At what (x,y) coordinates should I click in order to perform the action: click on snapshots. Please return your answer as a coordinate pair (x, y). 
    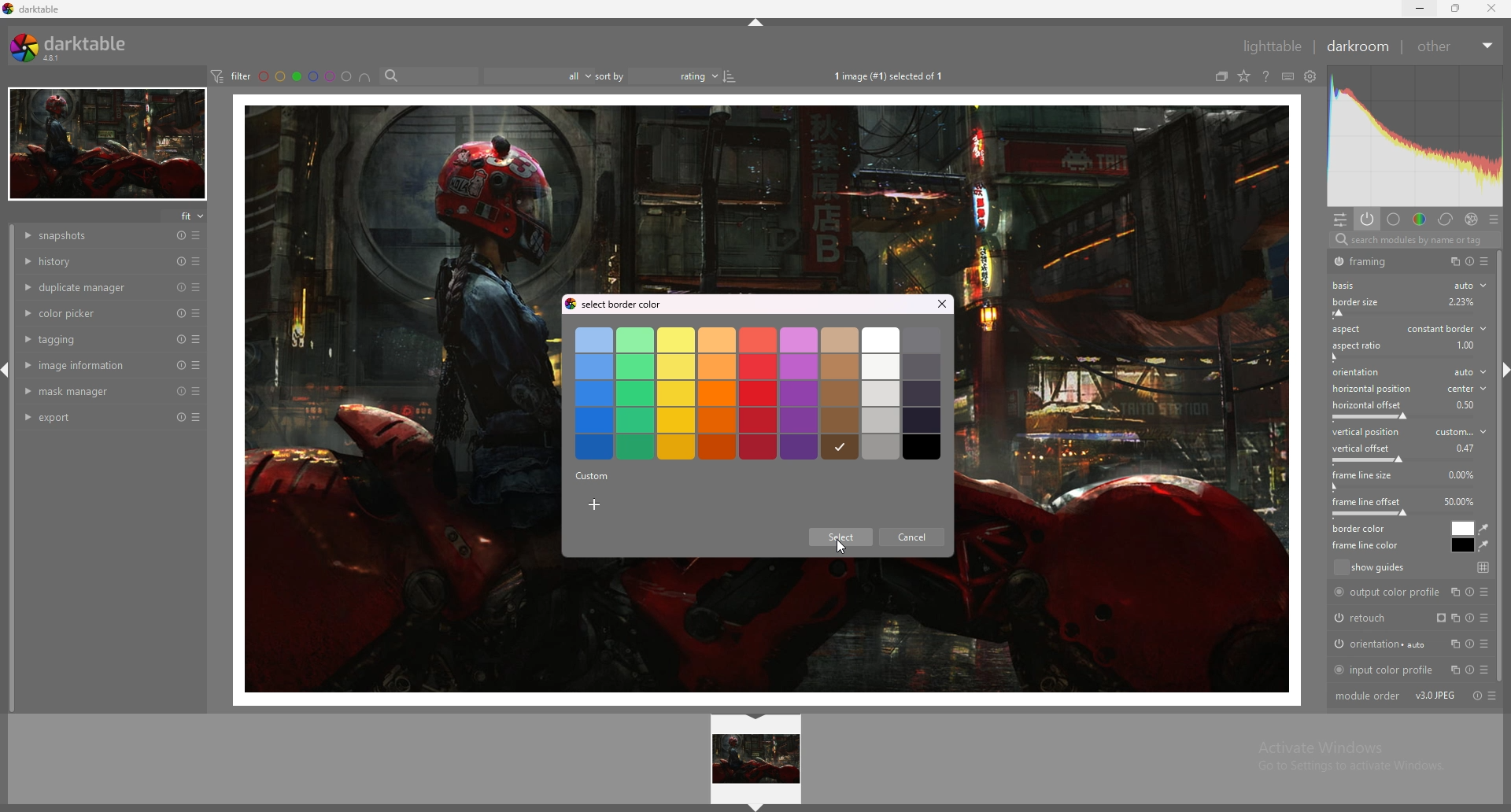
    Looking at the image, I should click on (96, 237).